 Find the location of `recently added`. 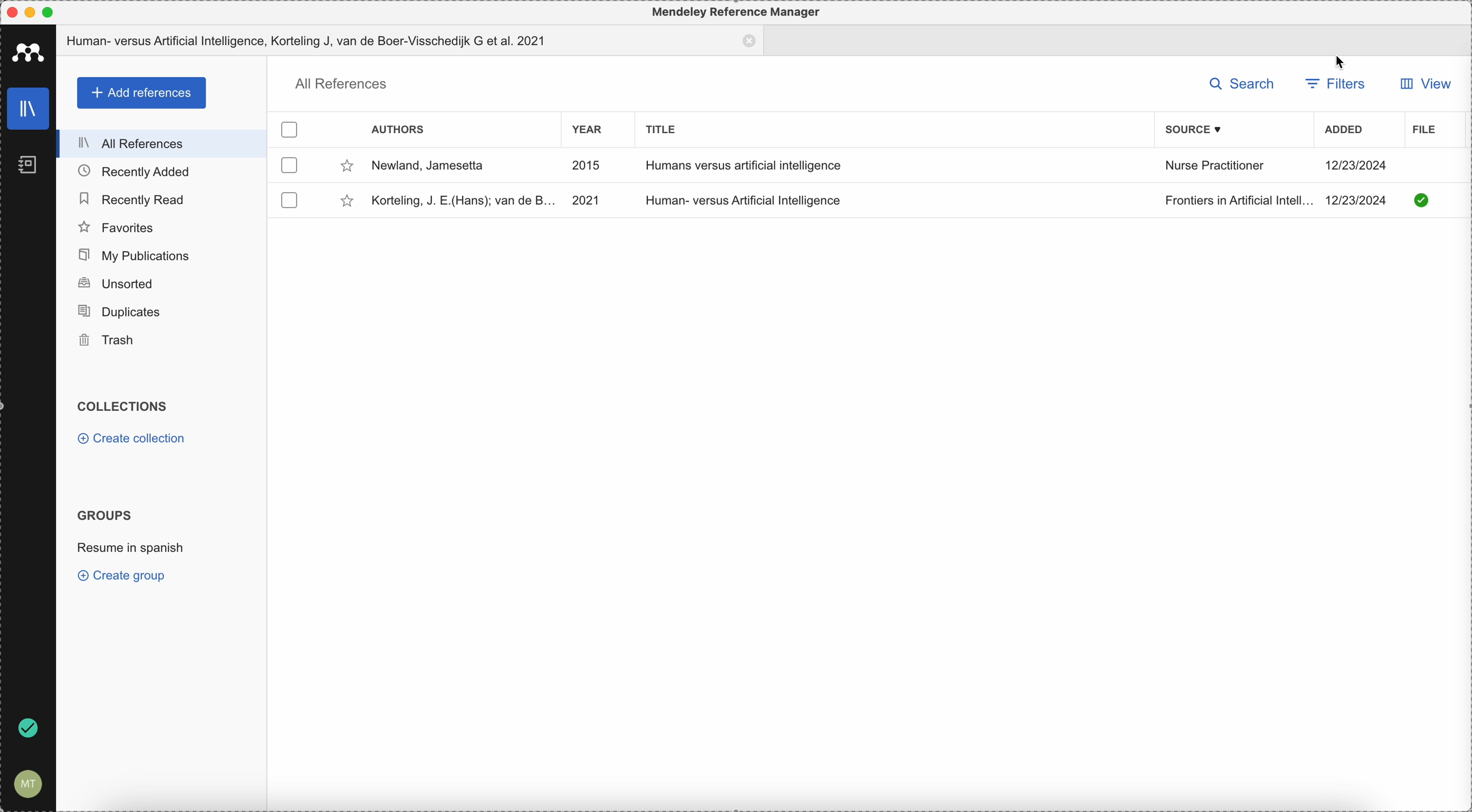

recently added is located at coordinates (161, 171).